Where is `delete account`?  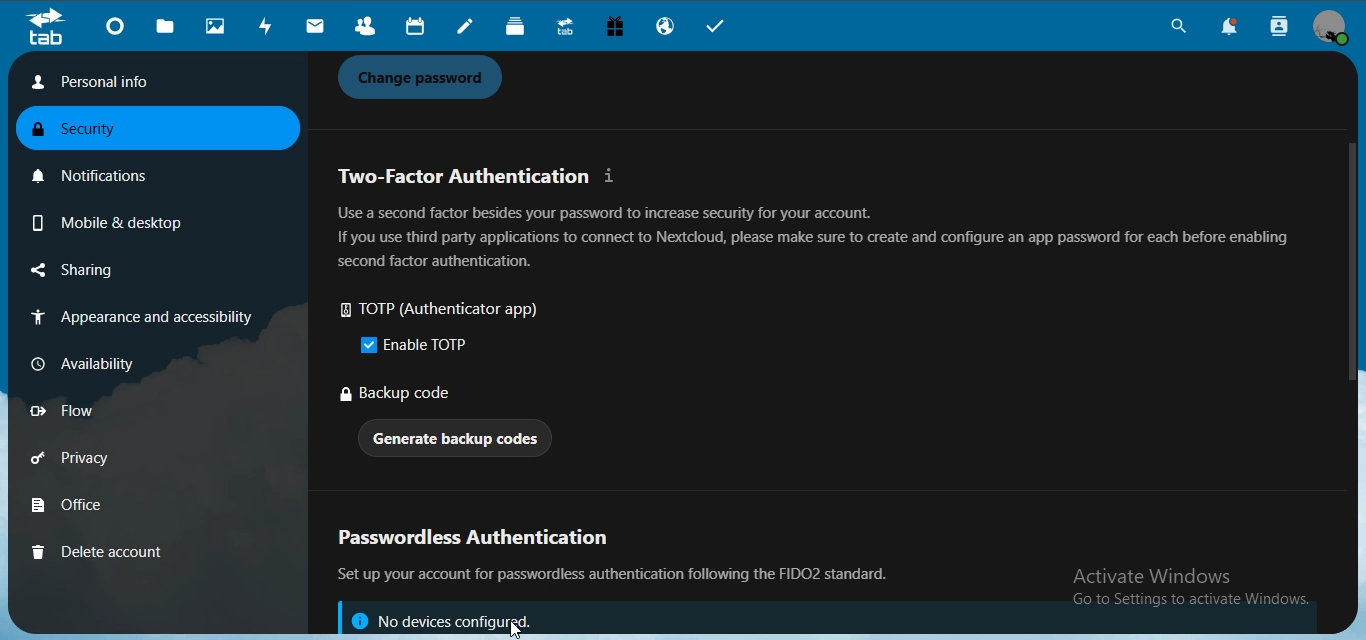
delete account is located at coordinates (98, 551).